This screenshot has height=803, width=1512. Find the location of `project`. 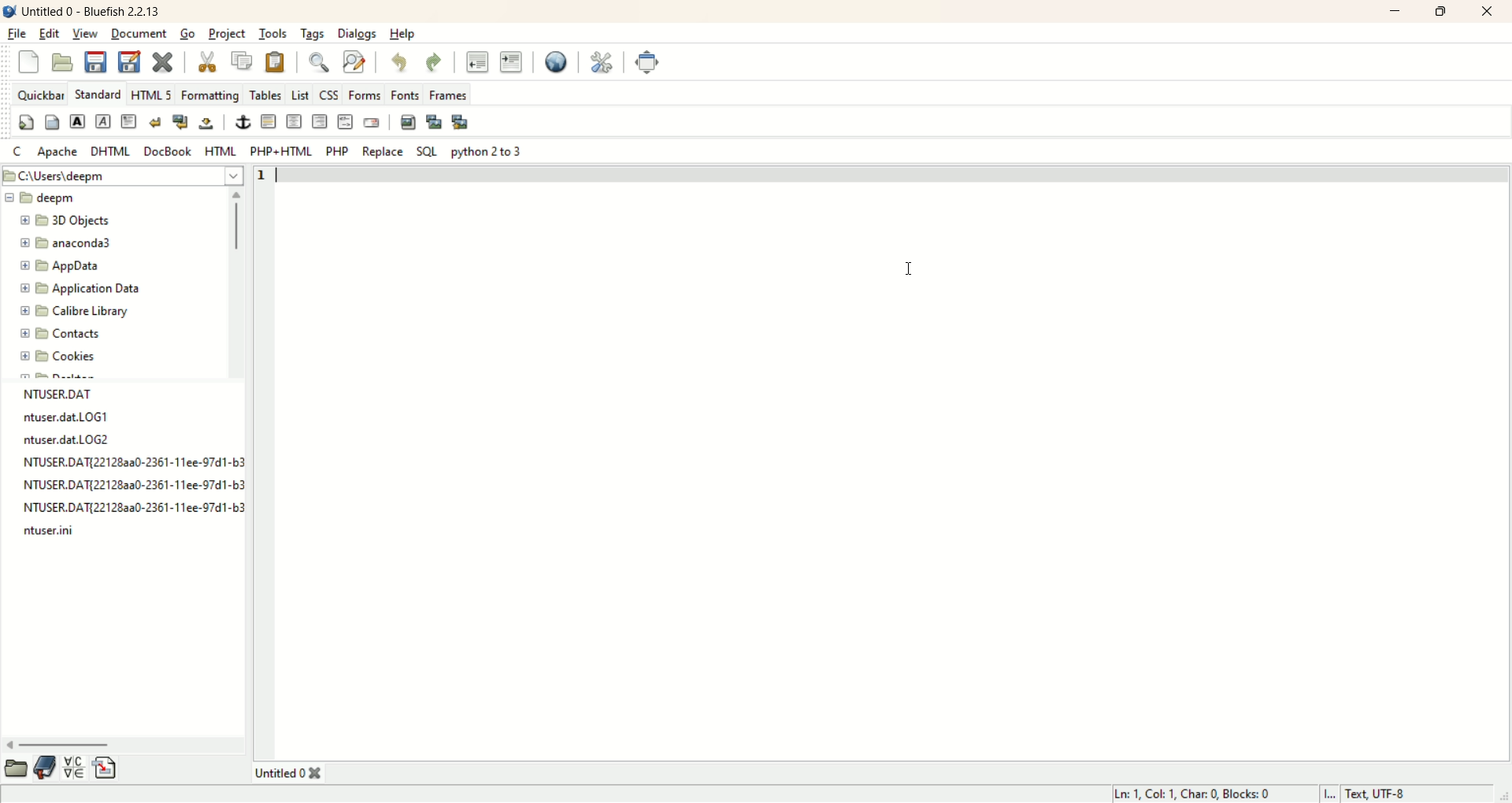

project is located at coordinates (228, 34).